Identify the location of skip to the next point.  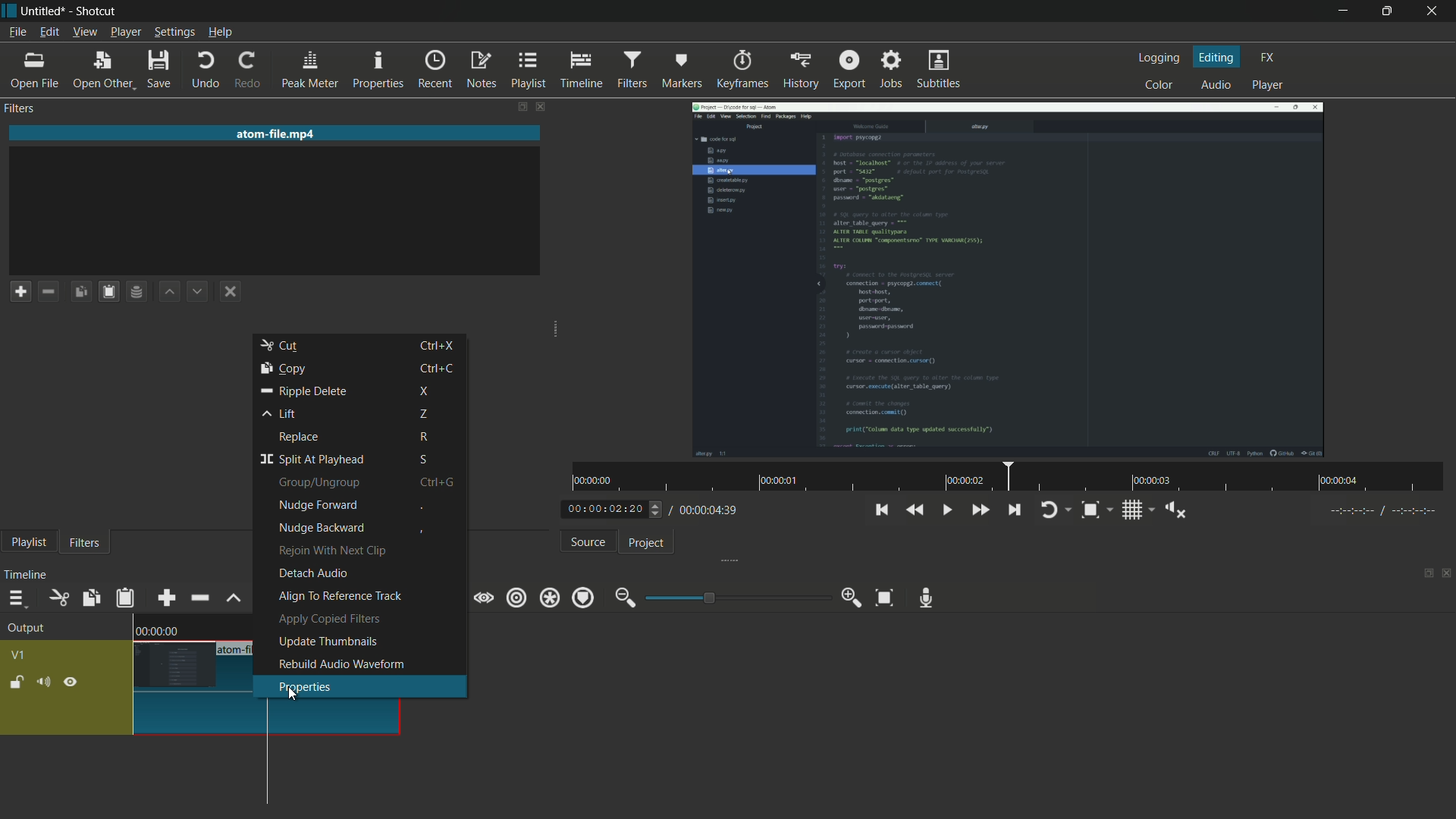
(1014, 511).